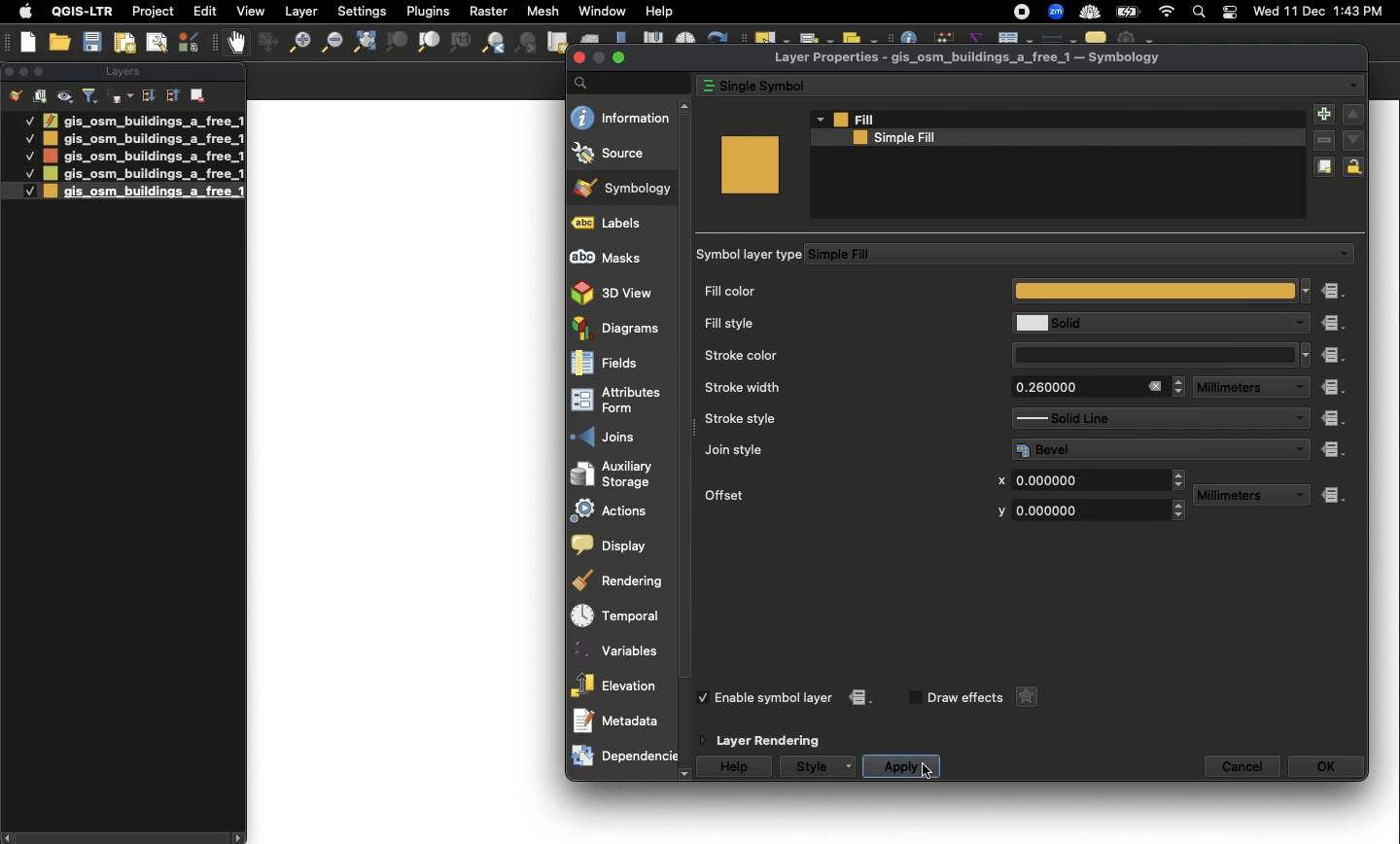  I want to click on Drop down, so click(819, 119).